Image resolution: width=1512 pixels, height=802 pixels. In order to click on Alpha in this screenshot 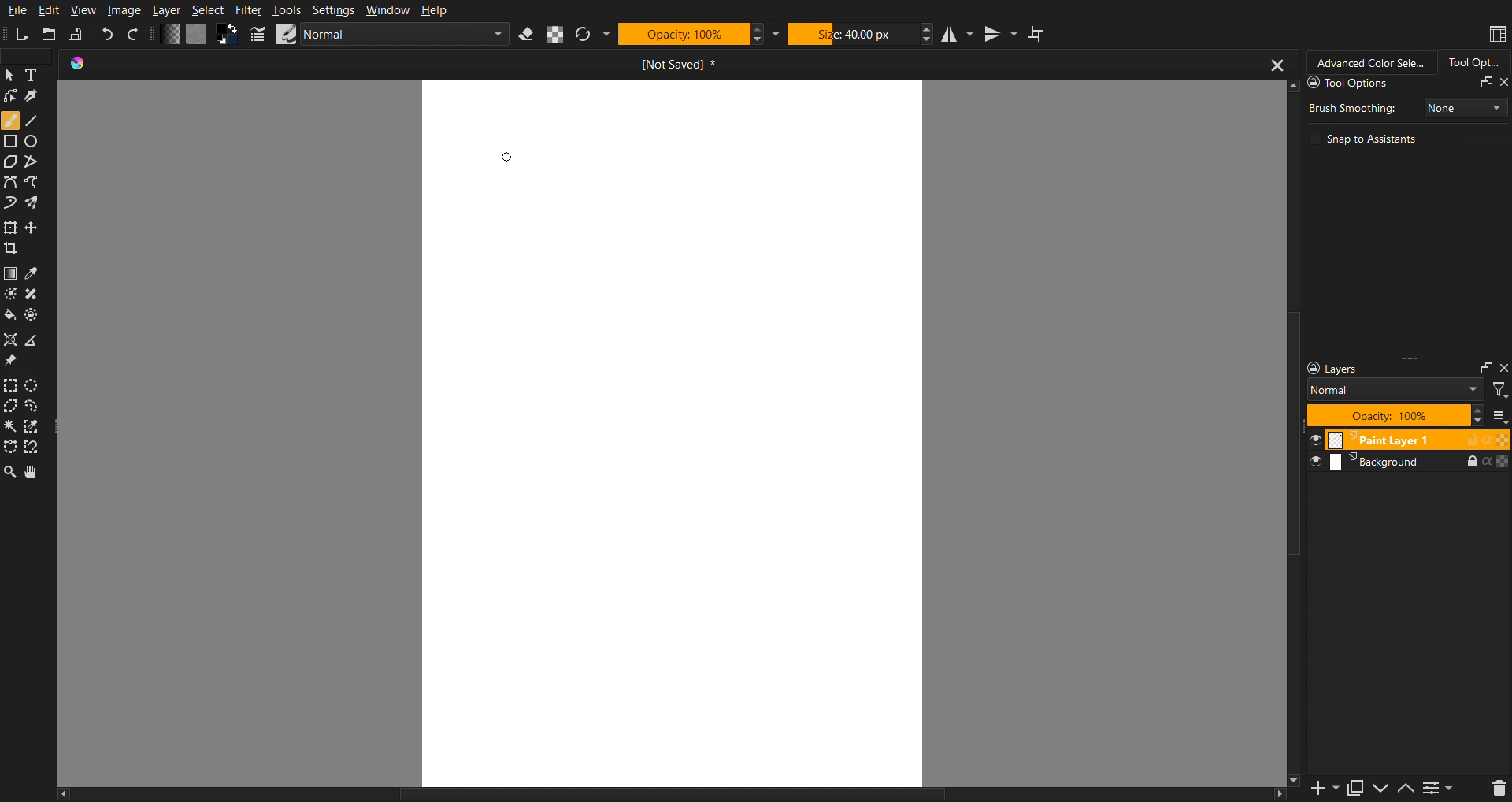, I will do `click(556, 34)`.